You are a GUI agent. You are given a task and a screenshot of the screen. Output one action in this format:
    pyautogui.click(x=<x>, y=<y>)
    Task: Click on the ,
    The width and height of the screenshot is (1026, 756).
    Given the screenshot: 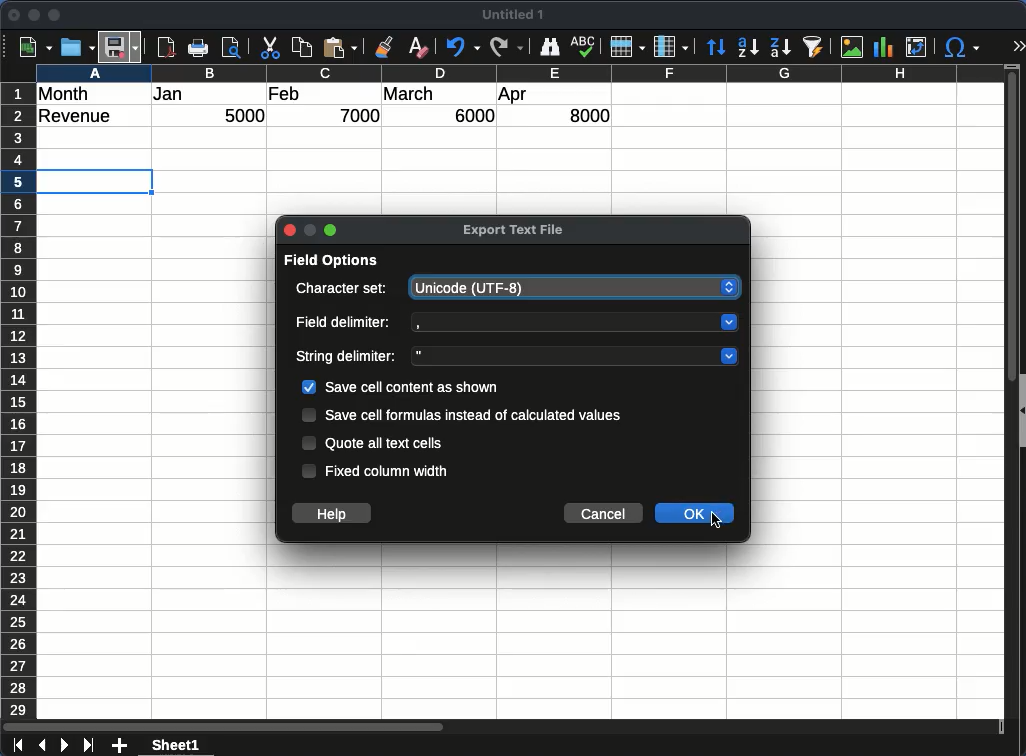 What is the action you would take?
    pyautogui.click(x=577, y=323)
    